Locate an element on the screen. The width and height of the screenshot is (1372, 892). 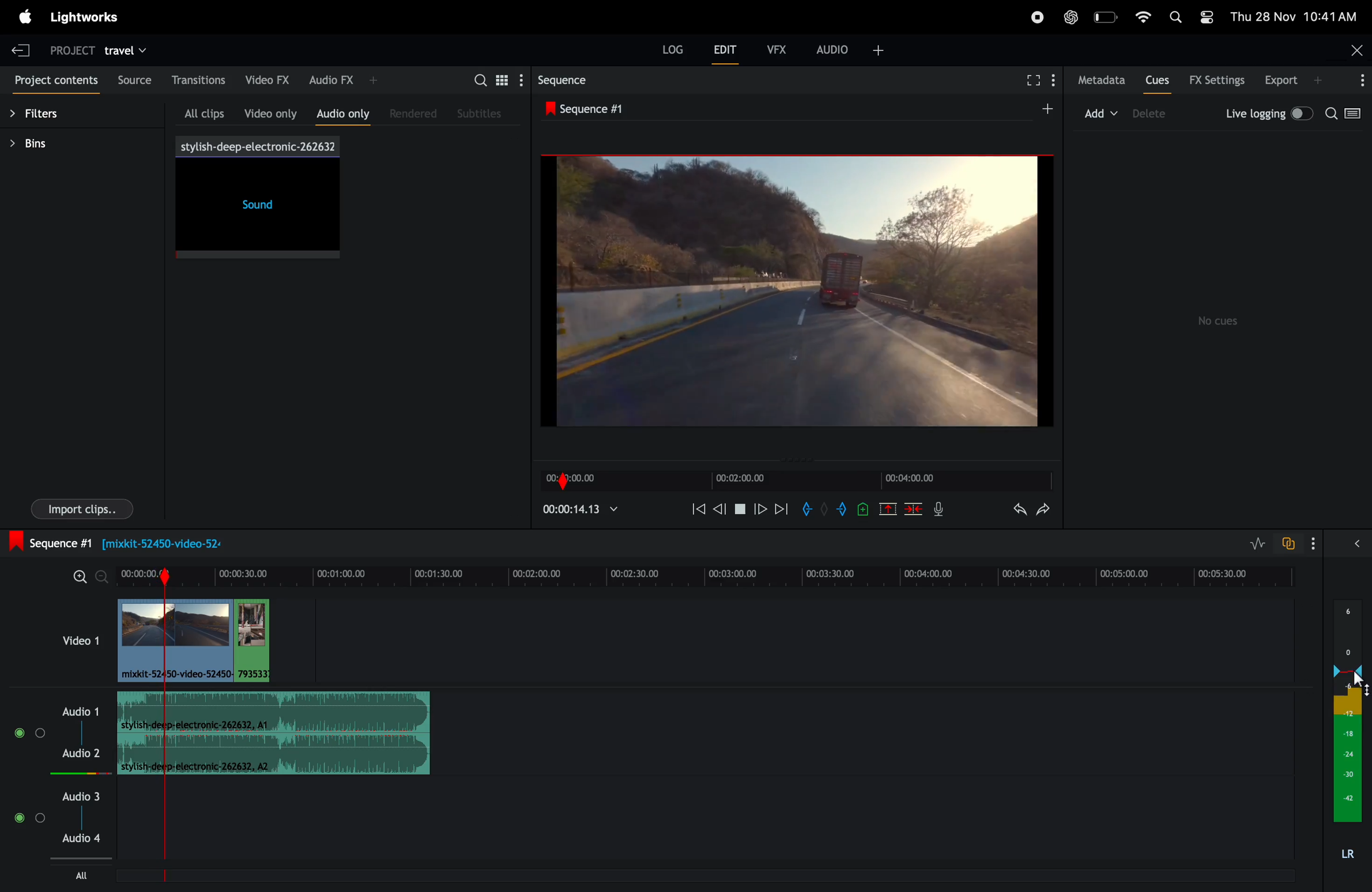
add cue to position is located at coordinates (862, 511).